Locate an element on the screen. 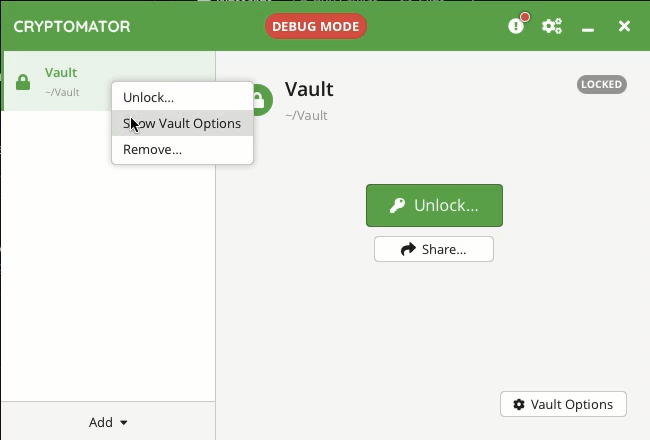 This screenshot has height=440, width=650. cursor is located at coordinates (137, 130).